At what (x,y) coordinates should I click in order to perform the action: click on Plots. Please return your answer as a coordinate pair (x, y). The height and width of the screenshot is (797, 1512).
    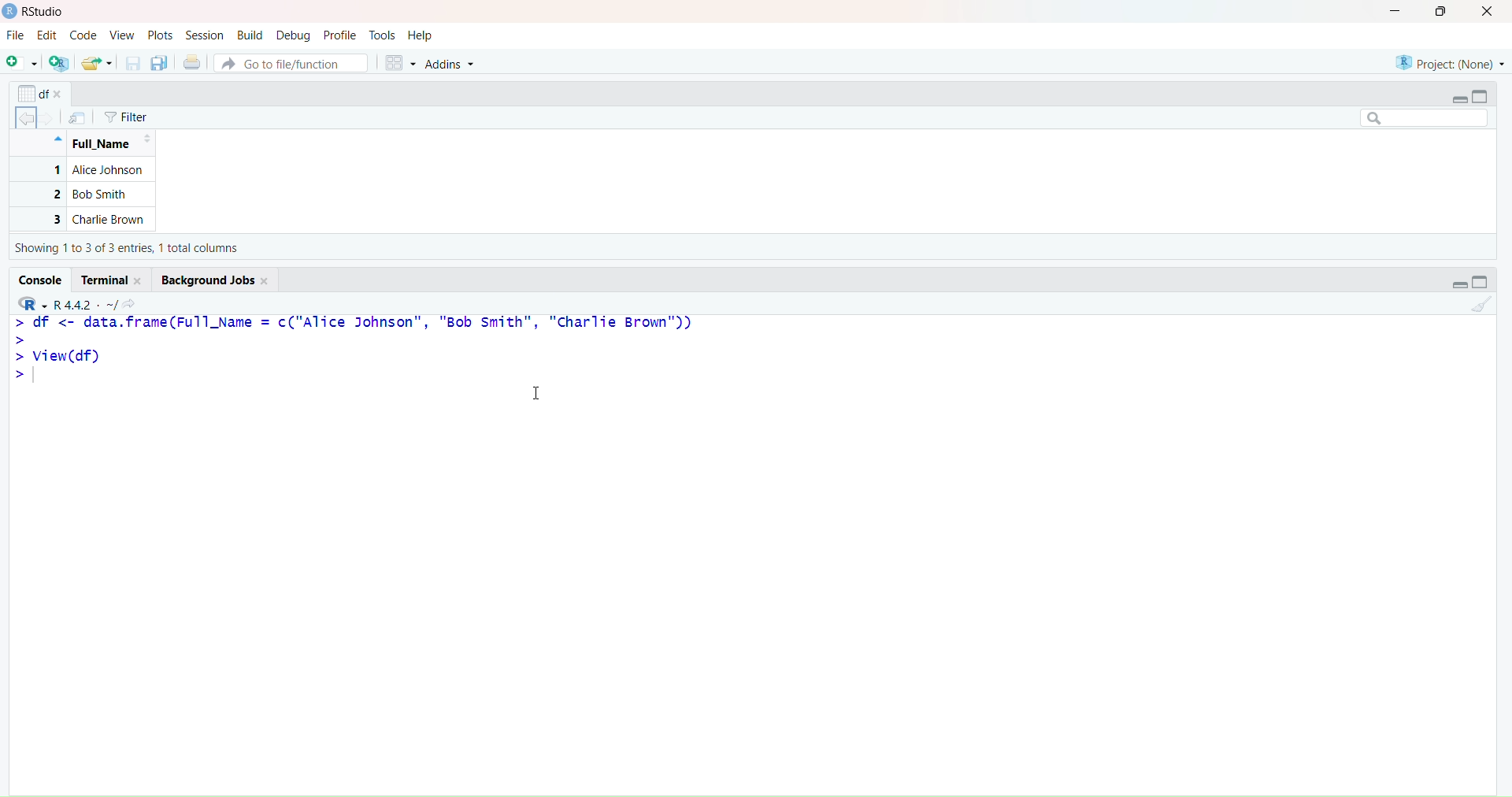
    Looking at the image, I should click on (163, 35).